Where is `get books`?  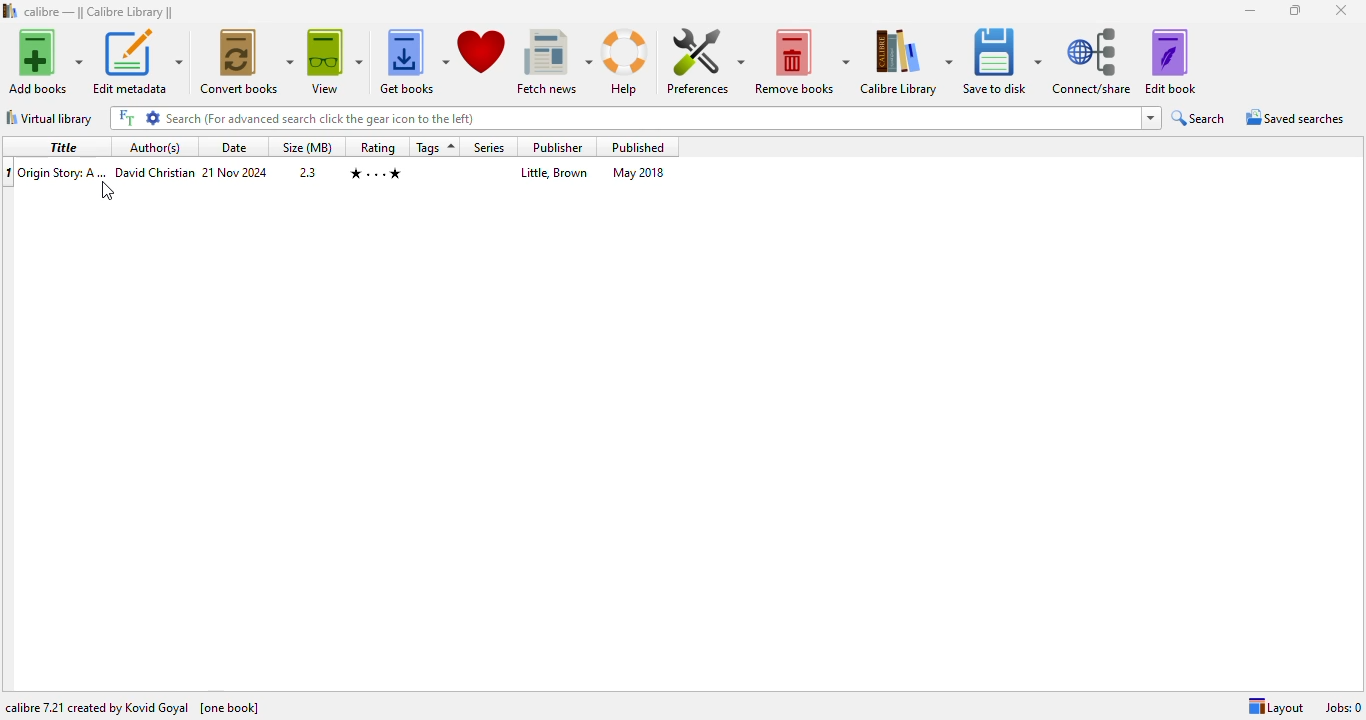 get books is located at coordinates (412, 60).